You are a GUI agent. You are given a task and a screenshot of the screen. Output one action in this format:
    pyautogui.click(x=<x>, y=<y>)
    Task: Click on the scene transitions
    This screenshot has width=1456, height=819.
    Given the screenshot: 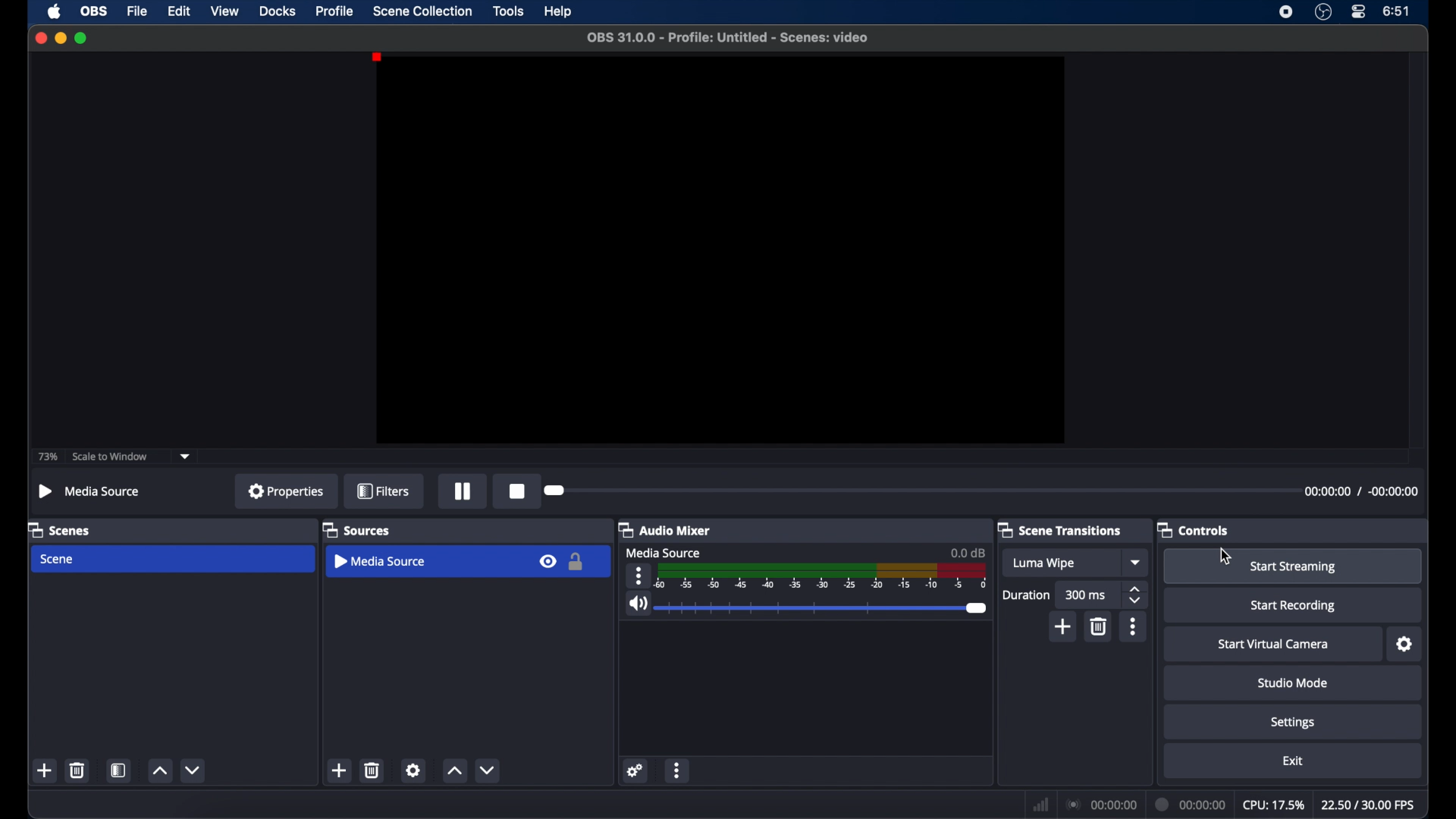 What is the action you would take?
    pyautogui.click(x=1060, y=529)
    